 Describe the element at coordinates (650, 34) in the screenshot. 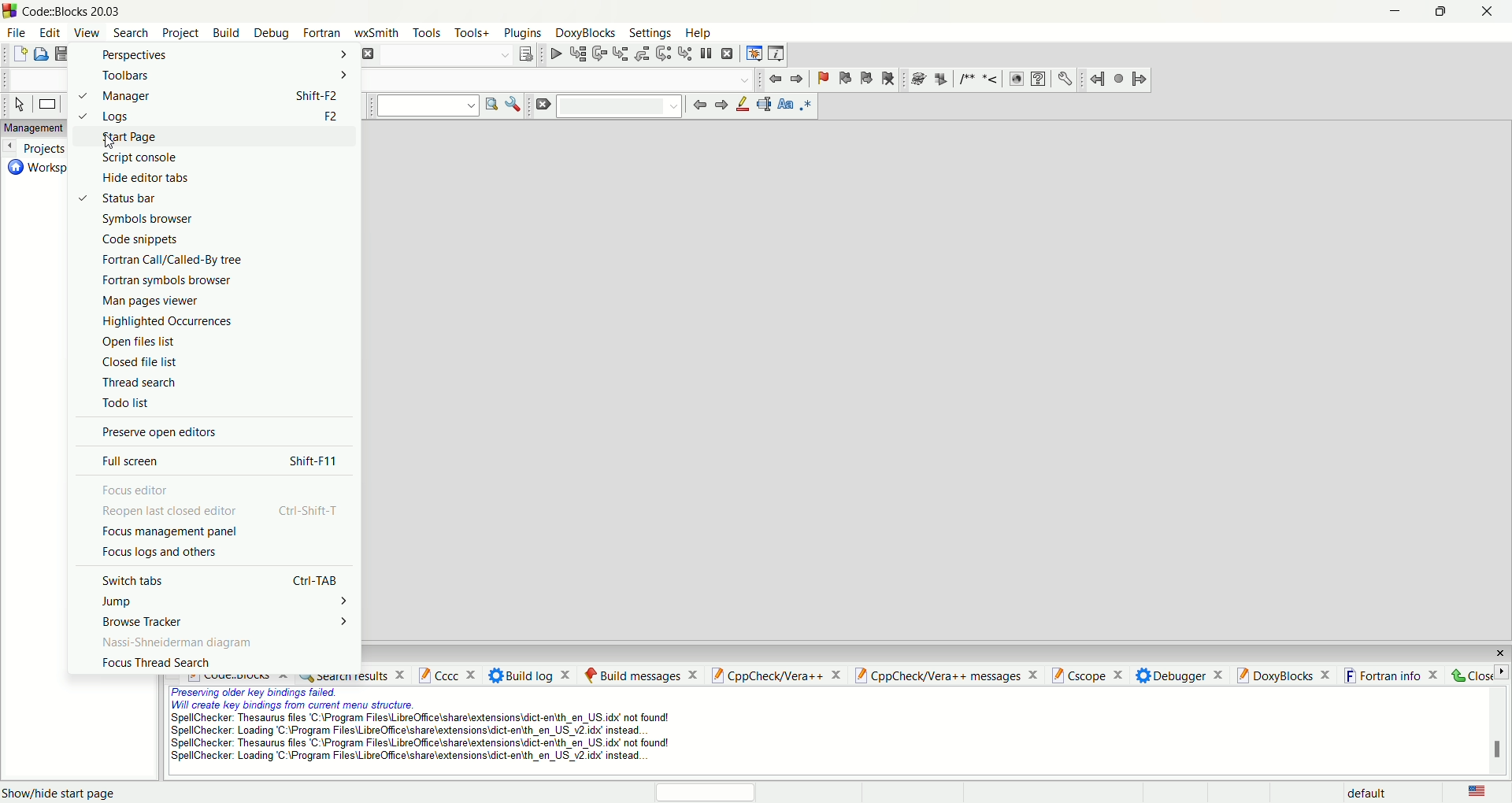

I see `settings` at that location.